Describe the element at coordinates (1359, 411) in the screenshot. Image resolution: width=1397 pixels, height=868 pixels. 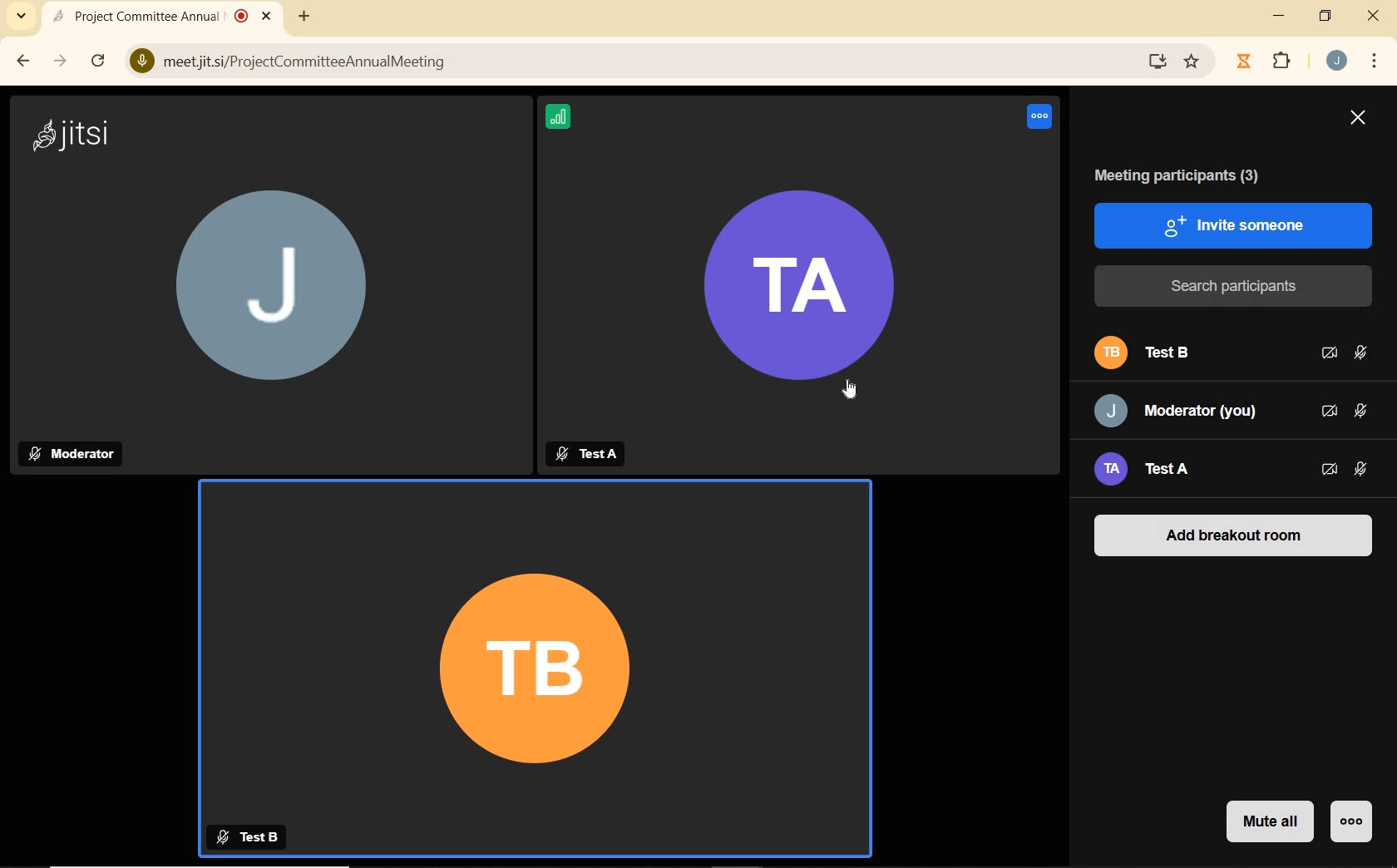
I see `MICROPHONE` at that location.